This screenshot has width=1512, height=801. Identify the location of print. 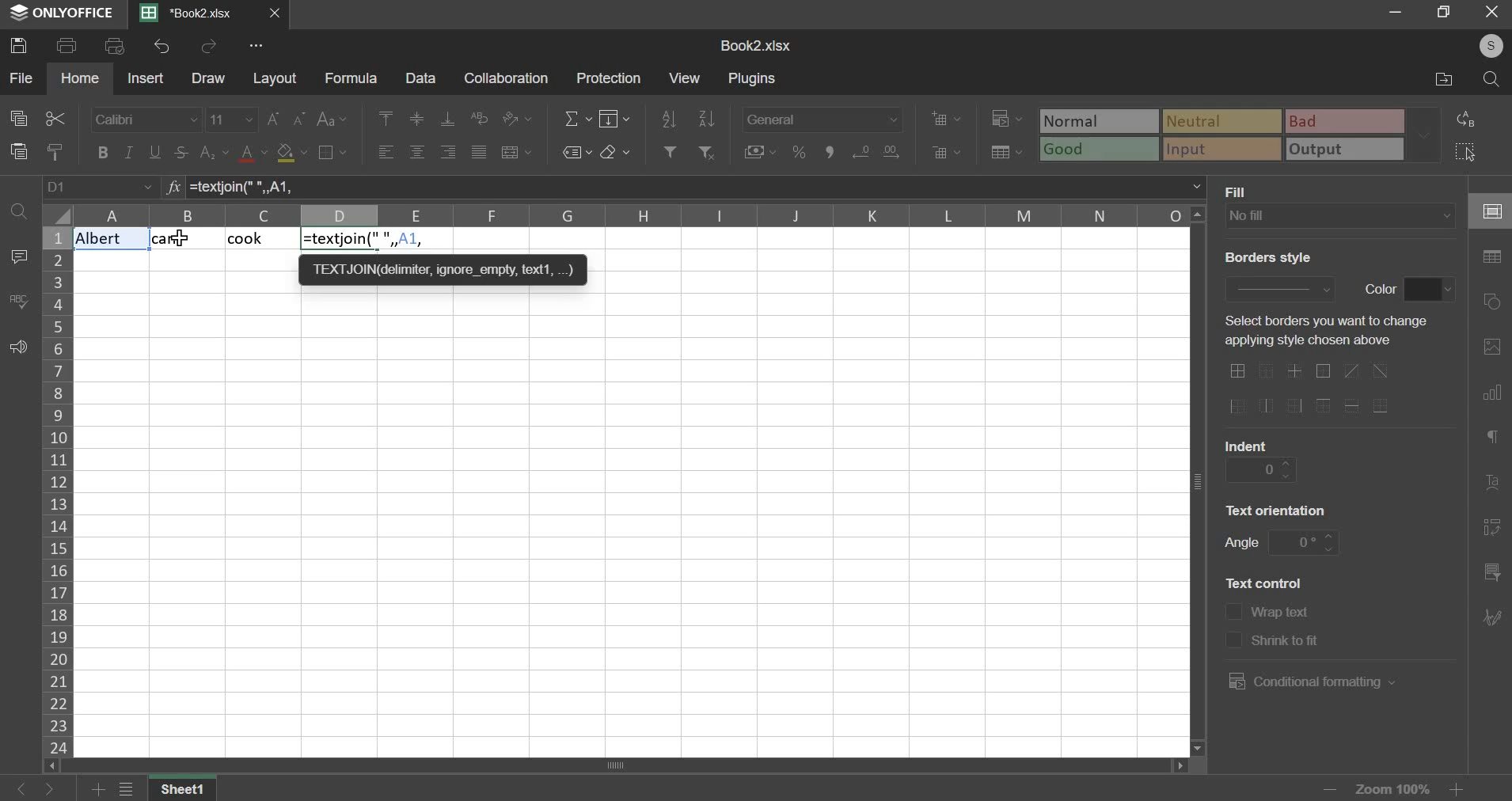
(67, 46).